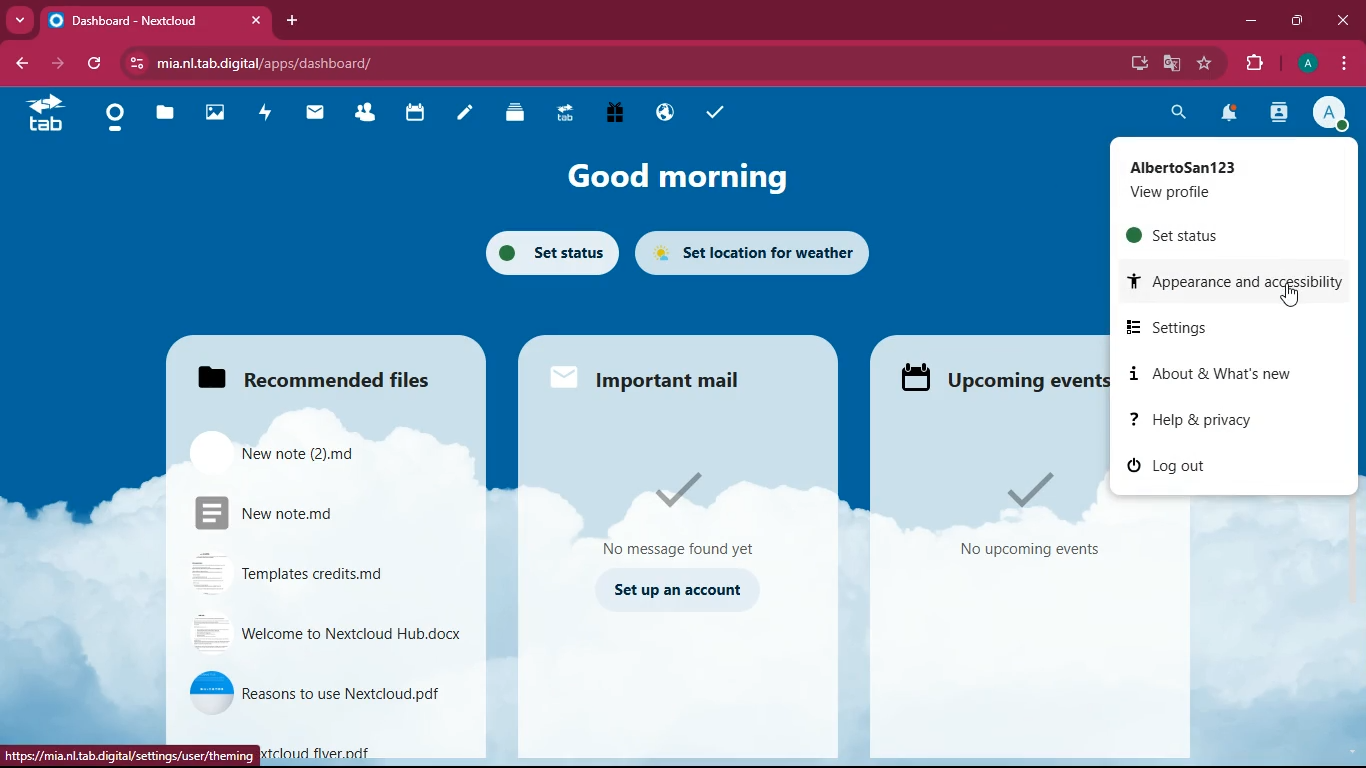 This screenshot has width=1366, height=768. Describe the element at coordinates (1254, 64) in the screenshot. I see `extensions` at that location.